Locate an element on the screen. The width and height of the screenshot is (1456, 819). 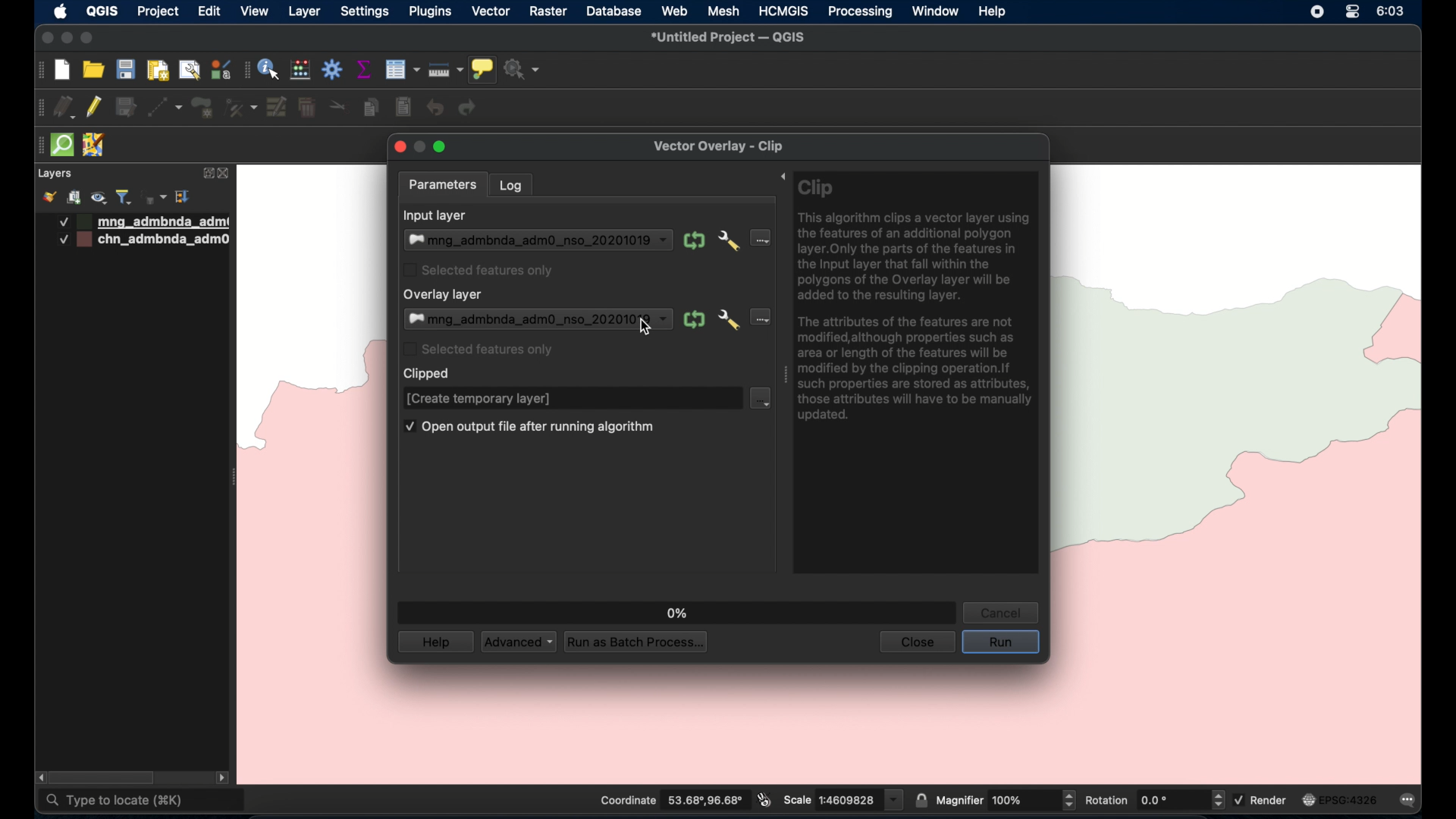
copy features is located at coordinates (372, 108).